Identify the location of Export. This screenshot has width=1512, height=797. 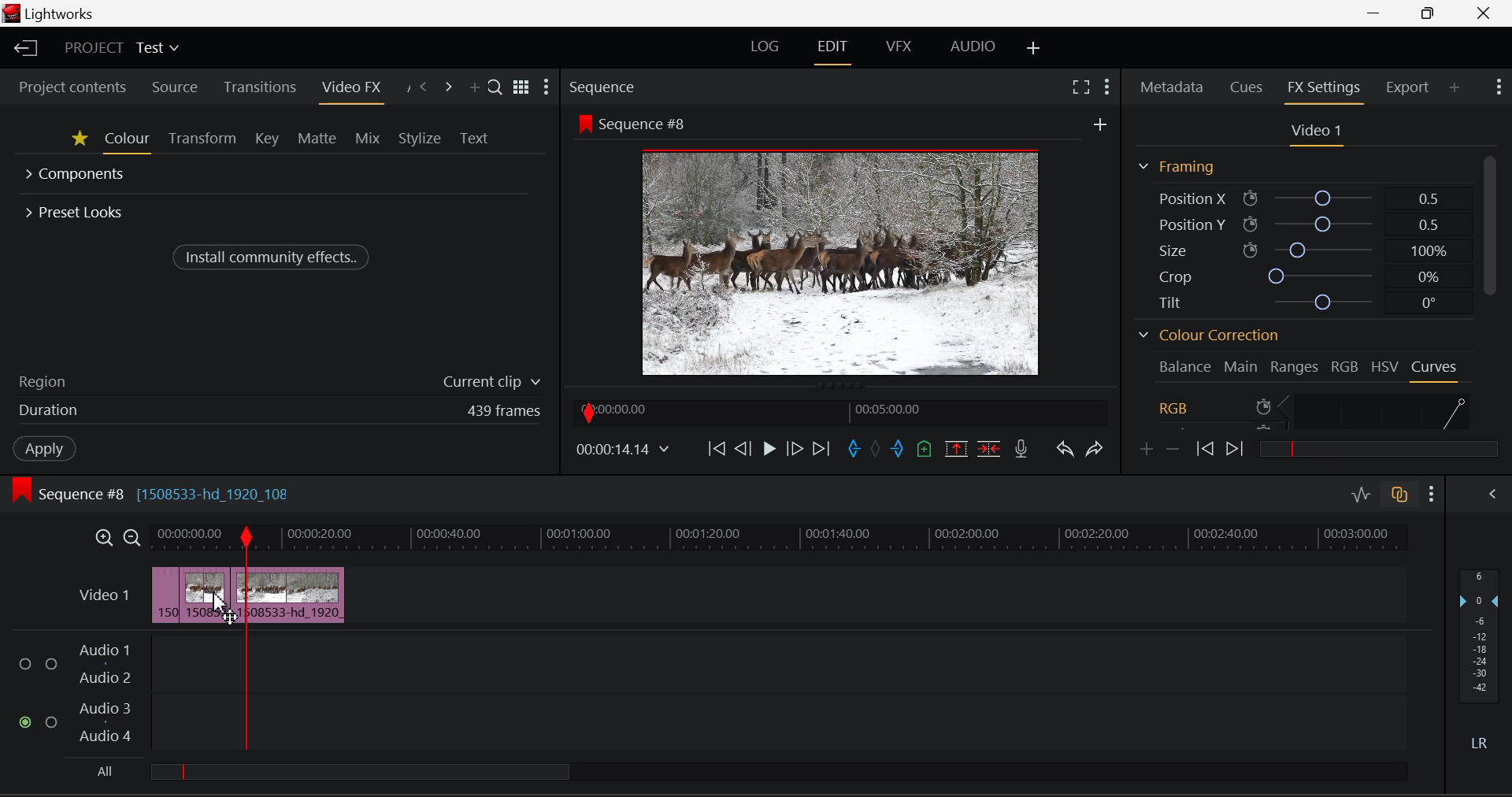
(1407, 85).